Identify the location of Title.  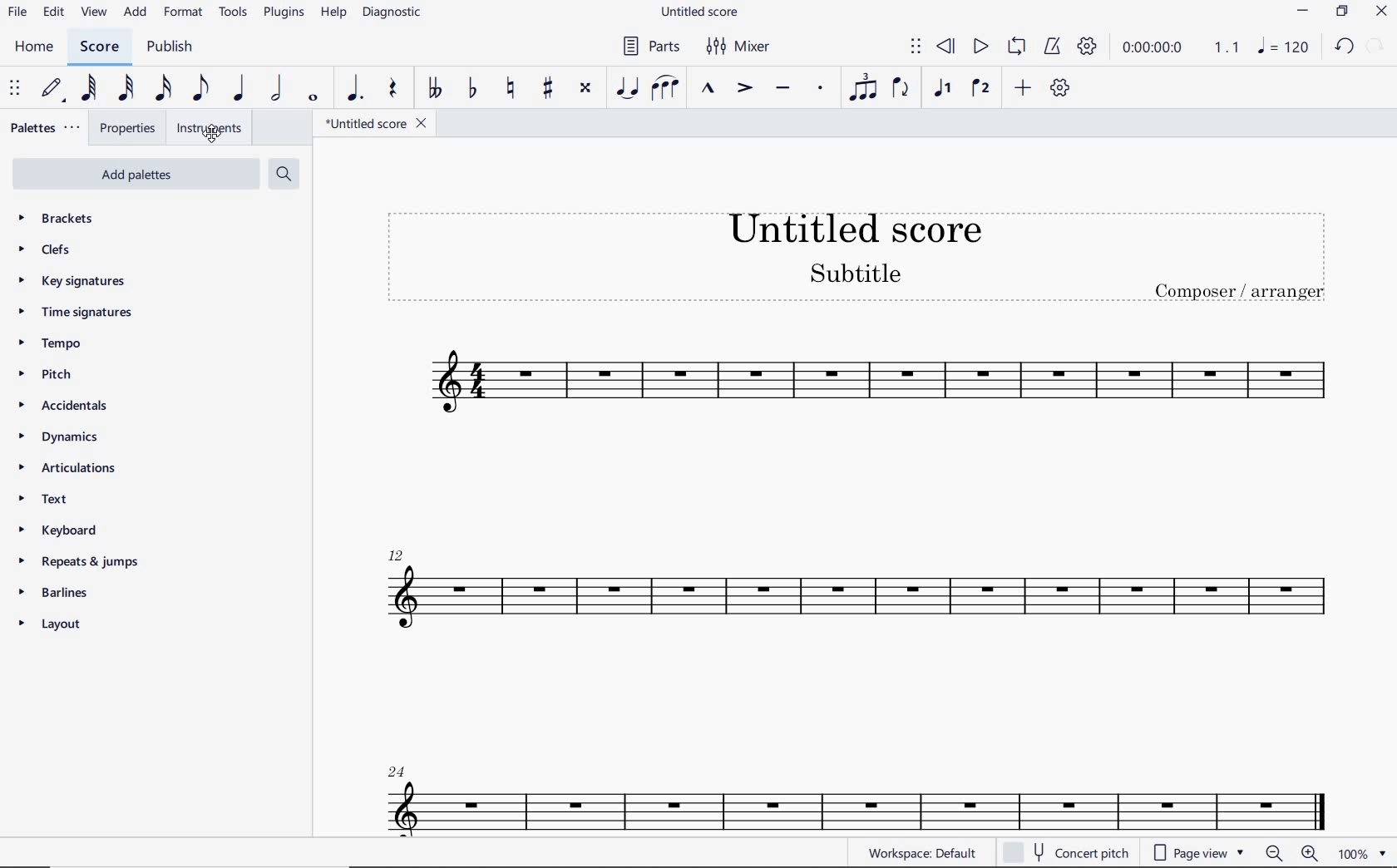
(858, 257).